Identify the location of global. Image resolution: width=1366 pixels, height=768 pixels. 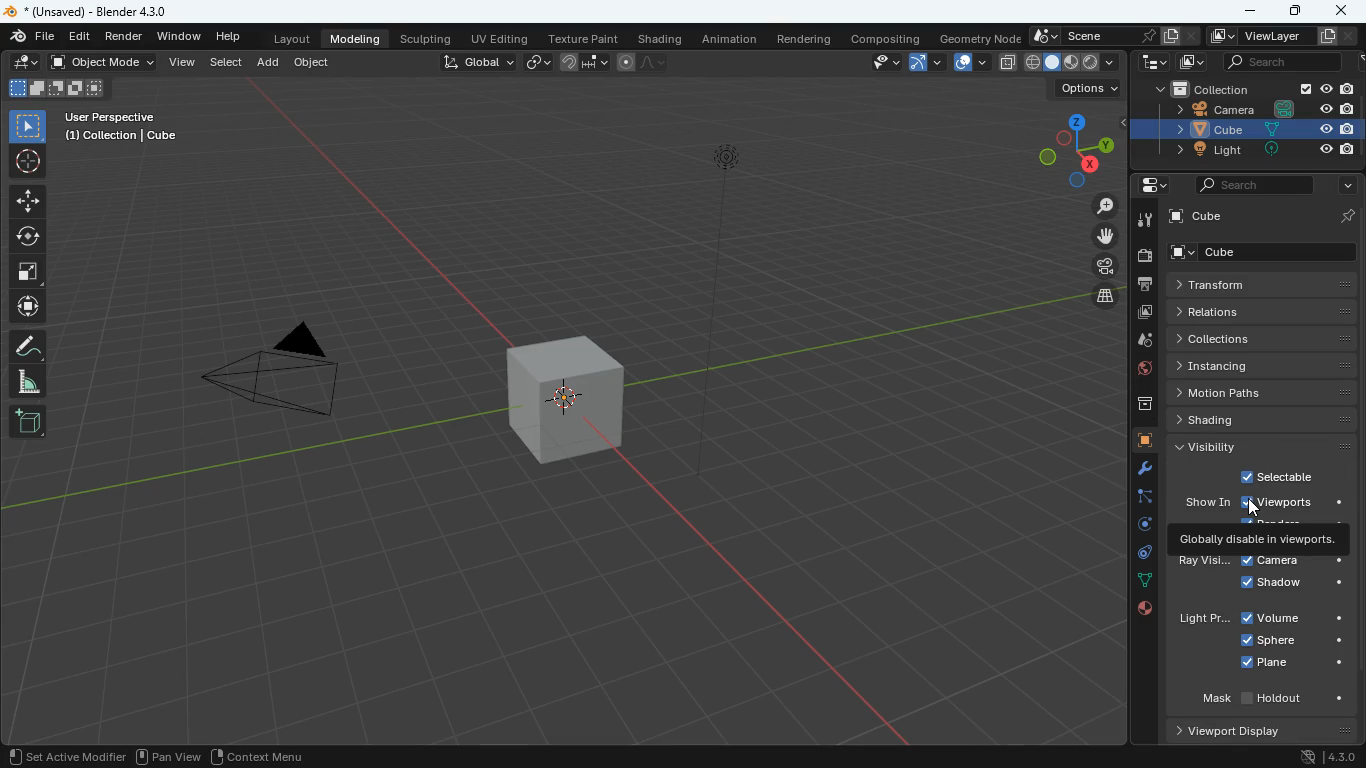
(470, 63).